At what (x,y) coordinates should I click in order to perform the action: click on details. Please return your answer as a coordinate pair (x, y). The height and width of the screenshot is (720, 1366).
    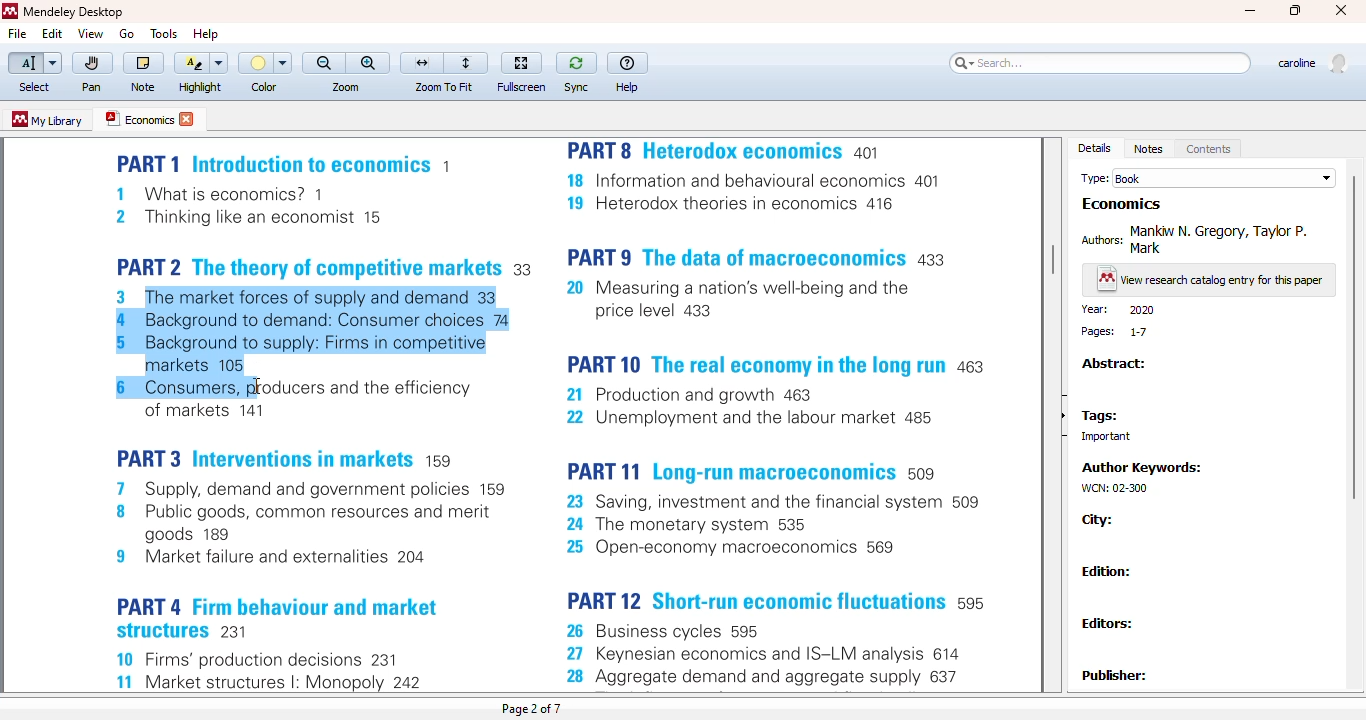
    Looking at the image, I should click on (1095, 148).